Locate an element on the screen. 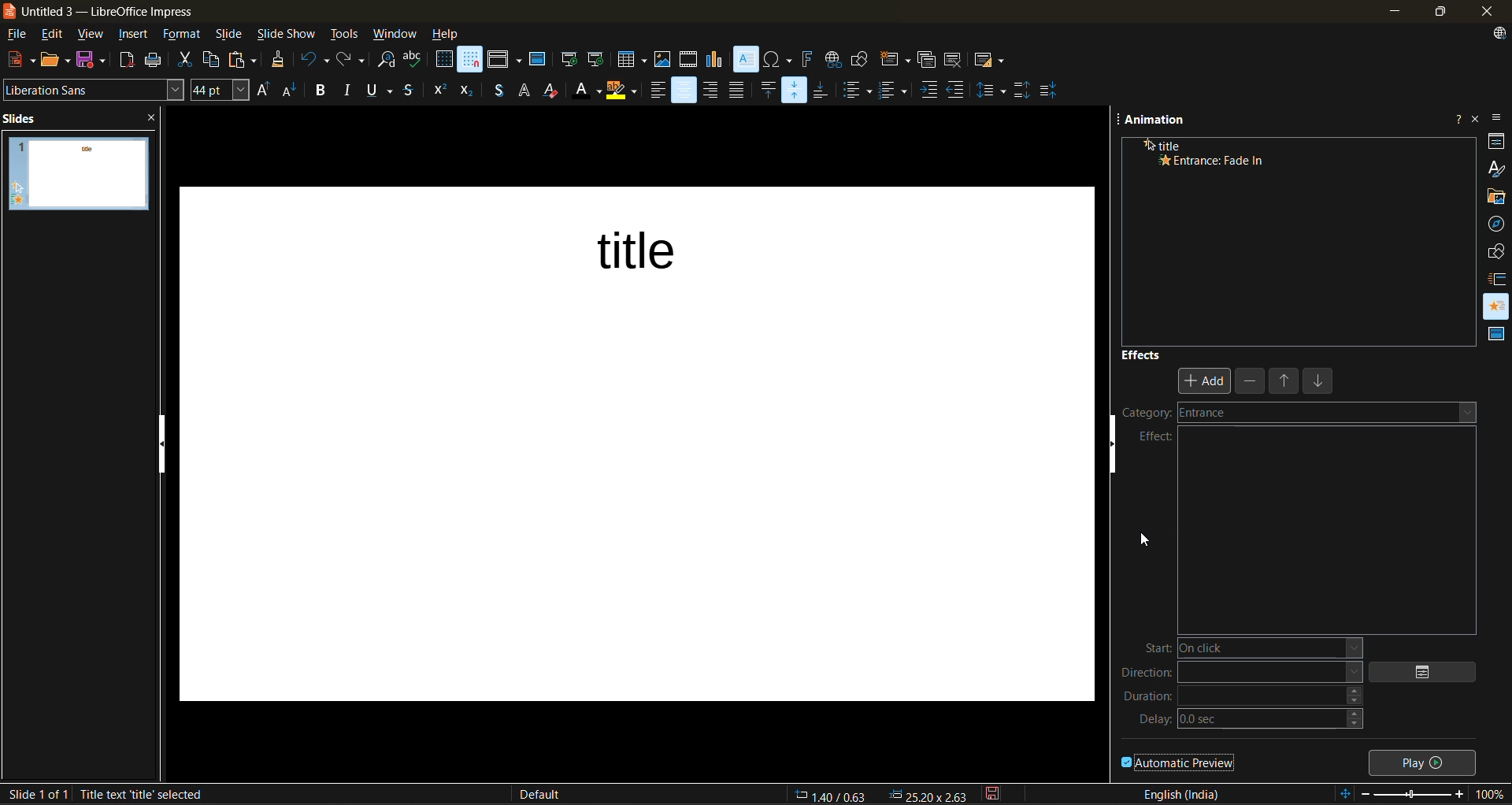 The height and width of the screenshot is (805, 1512). insert special characterss is located at coordinates (778, 59).